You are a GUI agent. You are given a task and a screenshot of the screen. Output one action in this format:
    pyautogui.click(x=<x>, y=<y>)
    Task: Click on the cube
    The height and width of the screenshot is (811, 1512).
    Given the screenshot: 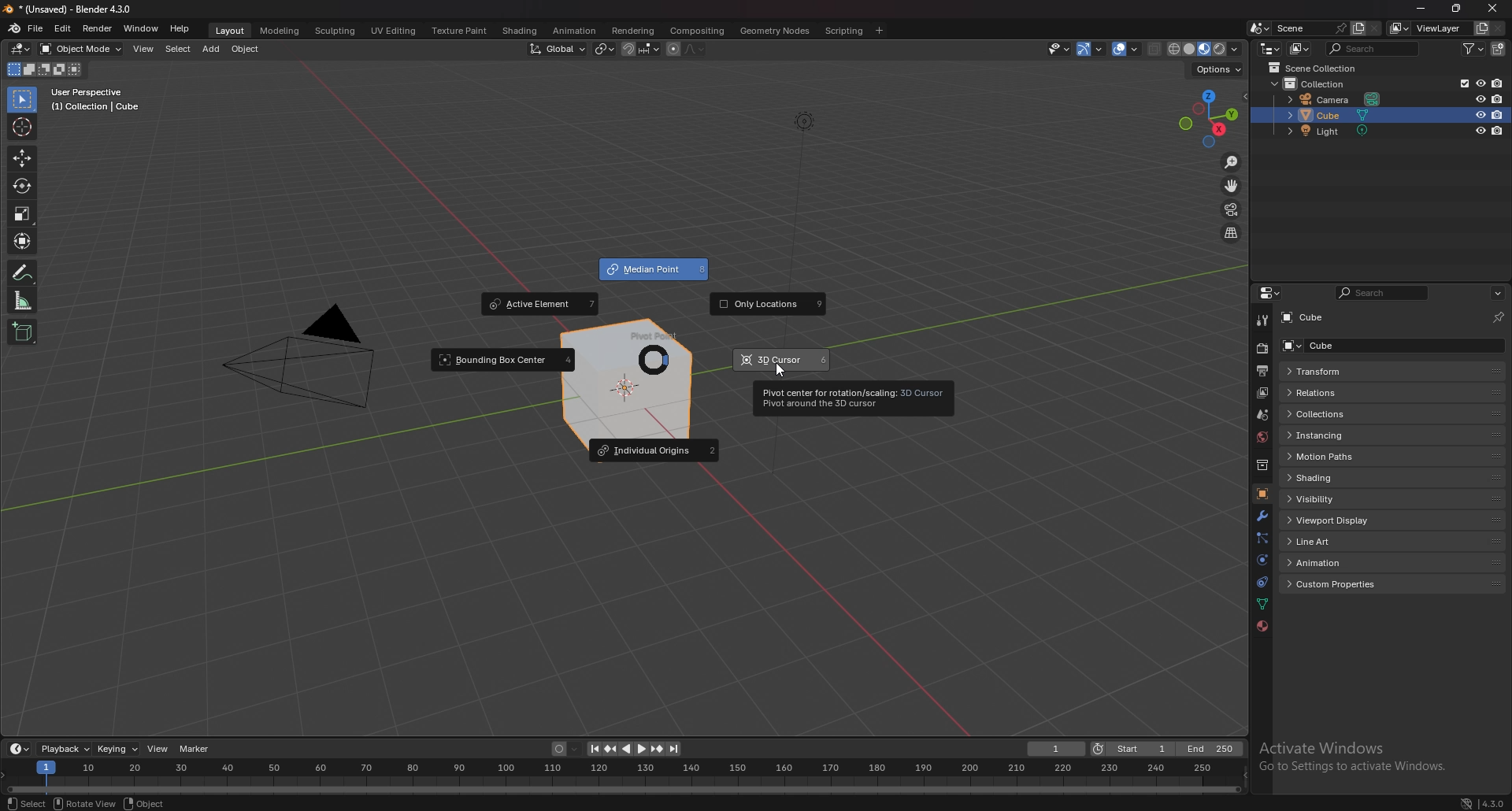 What is the action you would take?
    pyautogui.click(x=1309, y=318)
    